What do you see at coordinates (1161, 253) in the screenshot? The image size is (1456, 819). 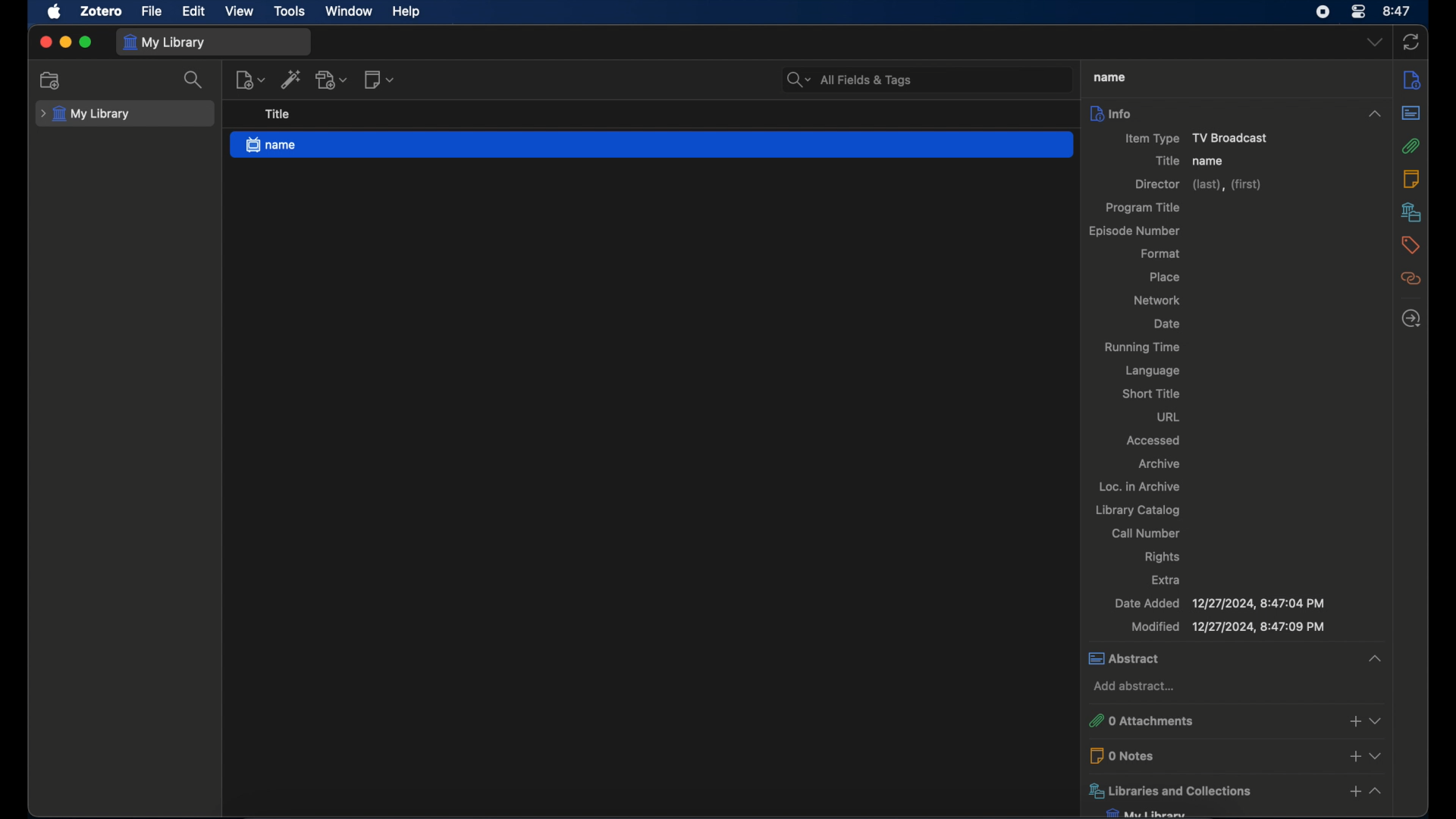 I see `format` at bounding box center [1161, 253].